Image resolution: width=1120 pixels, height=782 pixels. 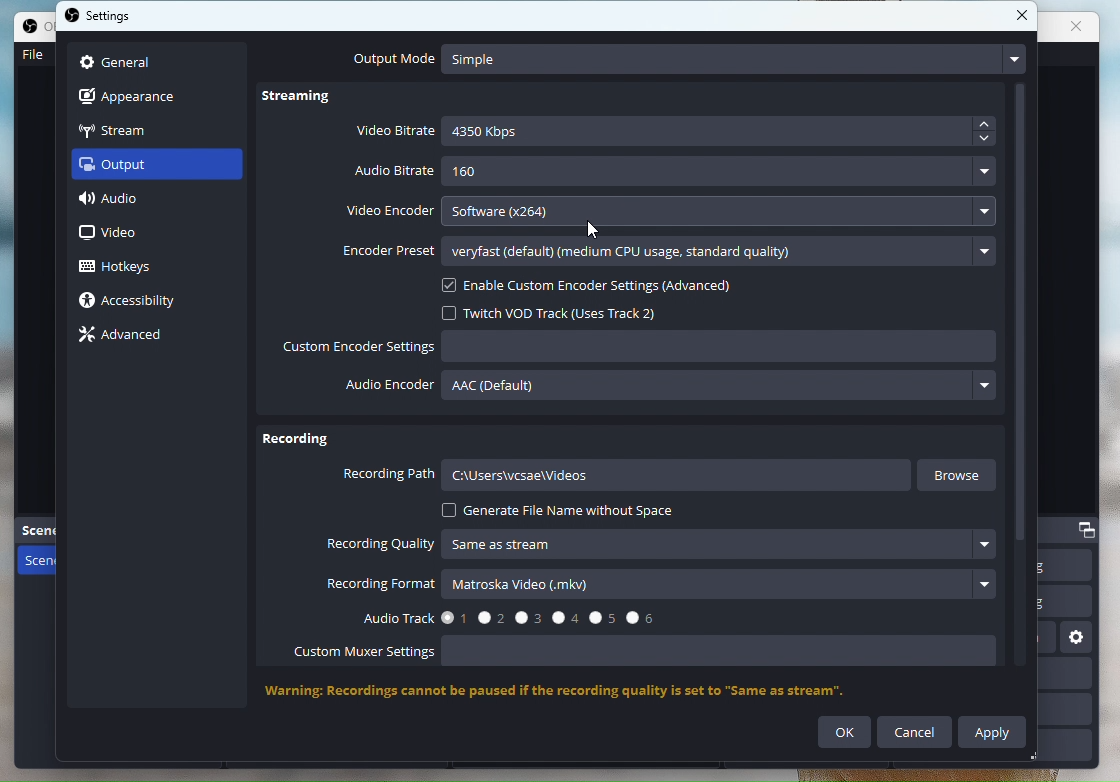 I want to click on Streaming, so click(x=308, y=100).